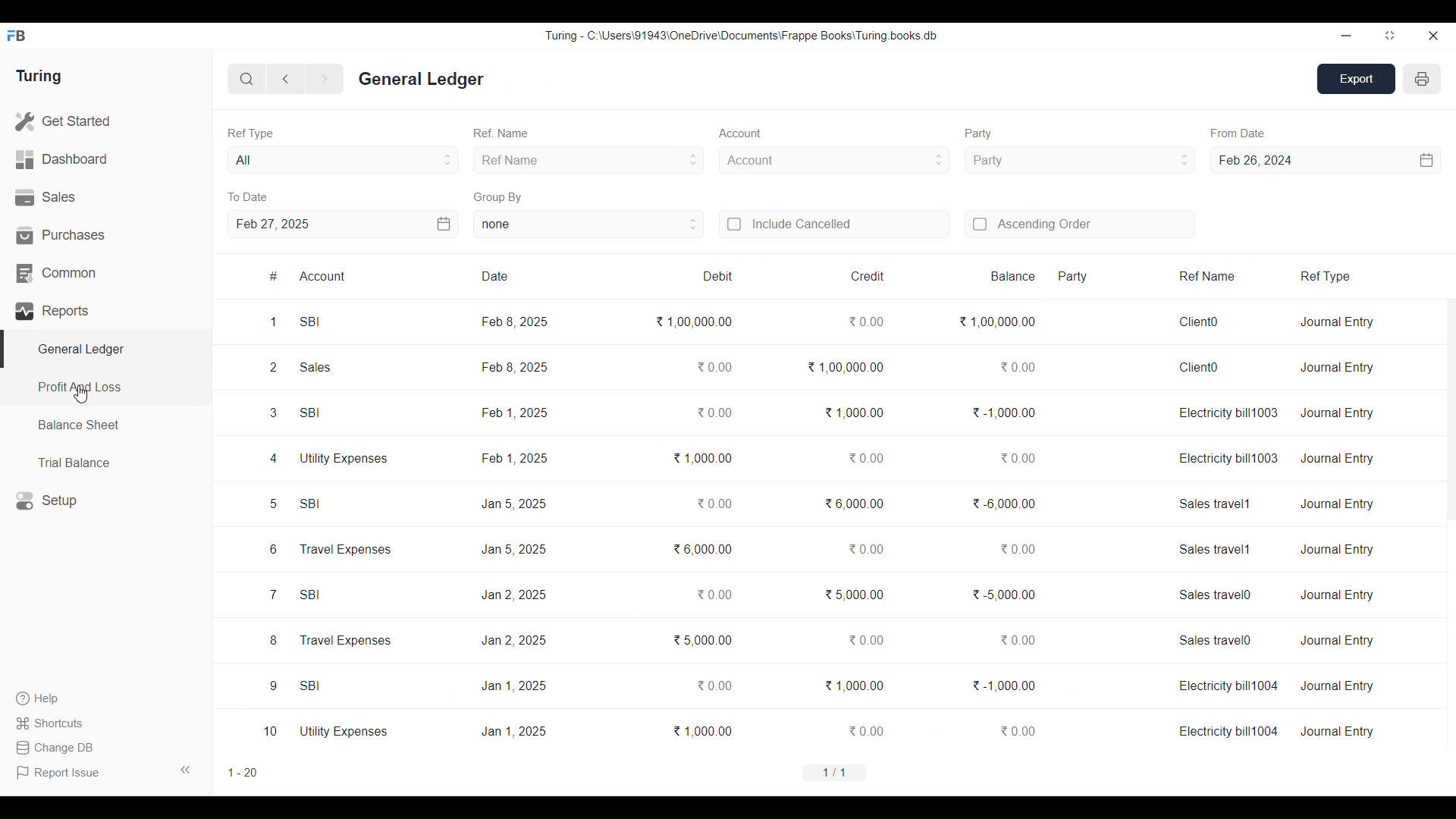  I want to click on 1/1, so click(836, 772).